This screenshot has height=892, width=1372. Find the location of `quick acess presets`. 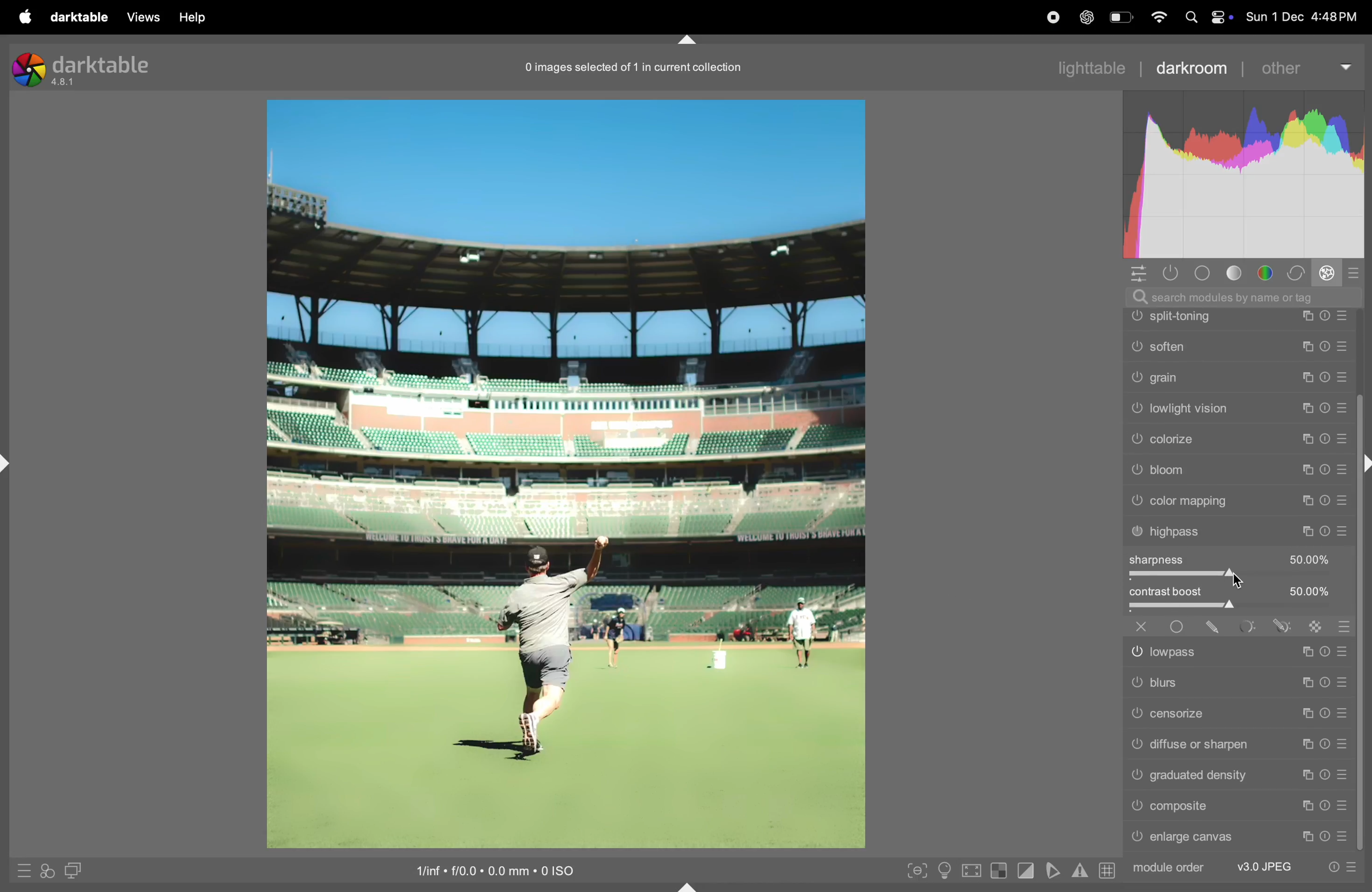

quick acess presets is located at coordinates (20, 871).